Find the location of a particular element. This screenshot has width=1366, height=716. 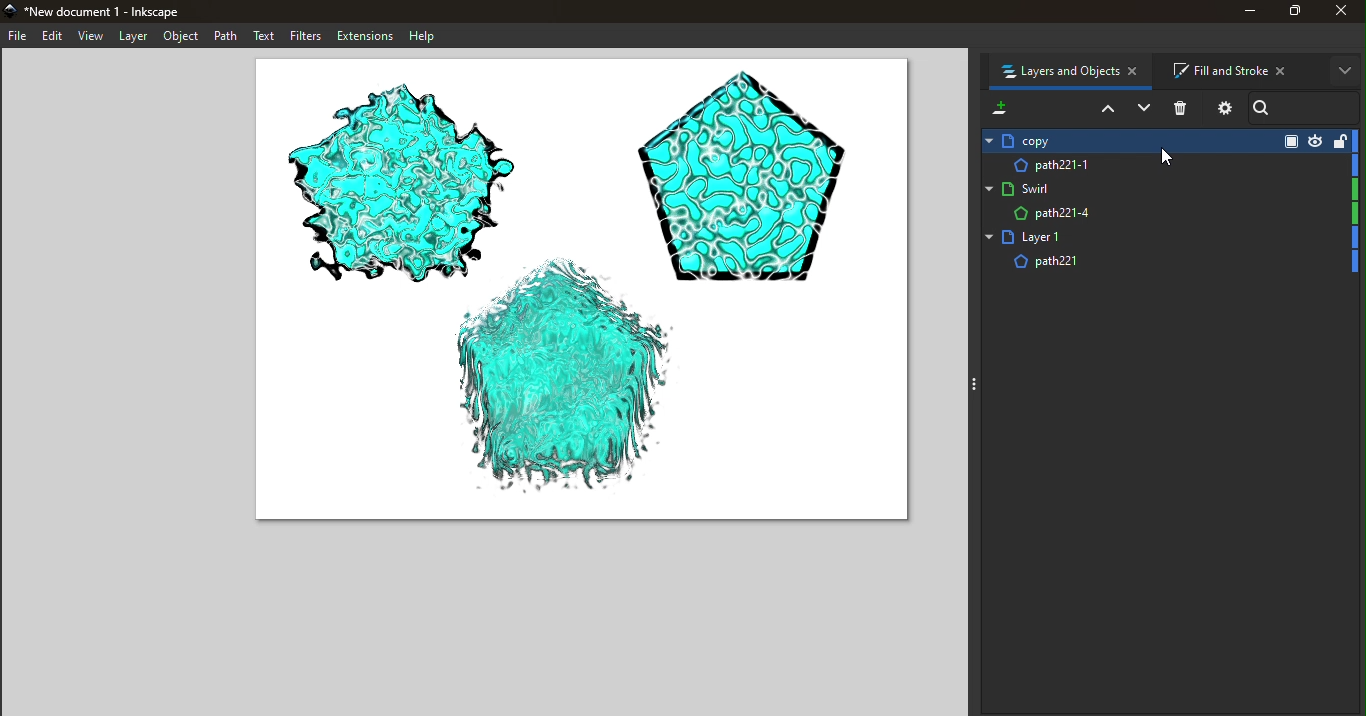

cursor is located at coordinates (1171, 158).